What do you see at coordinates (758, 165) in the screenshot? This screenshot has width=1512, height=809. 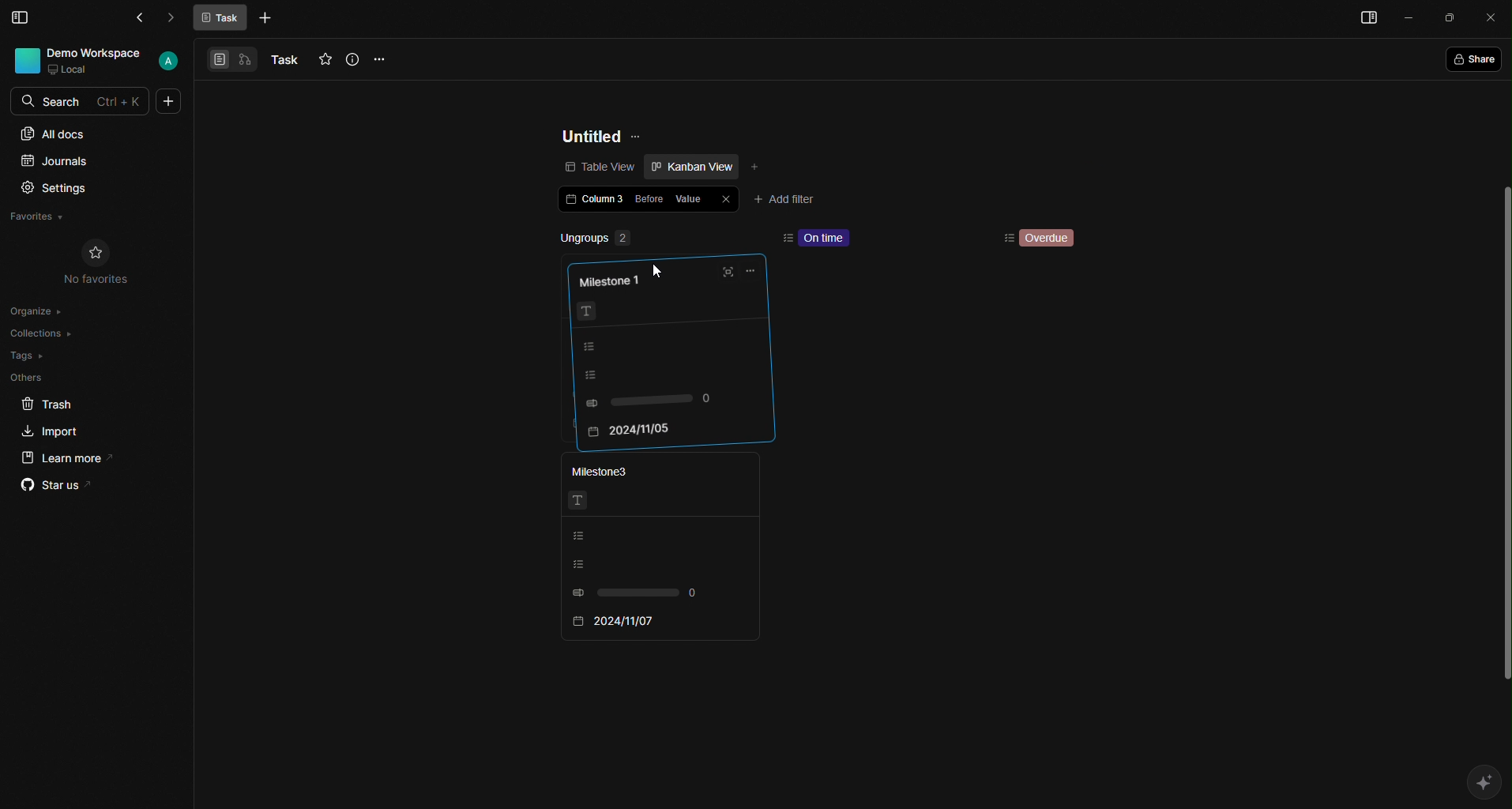 I see `Add` at bounding box center [758, 165].